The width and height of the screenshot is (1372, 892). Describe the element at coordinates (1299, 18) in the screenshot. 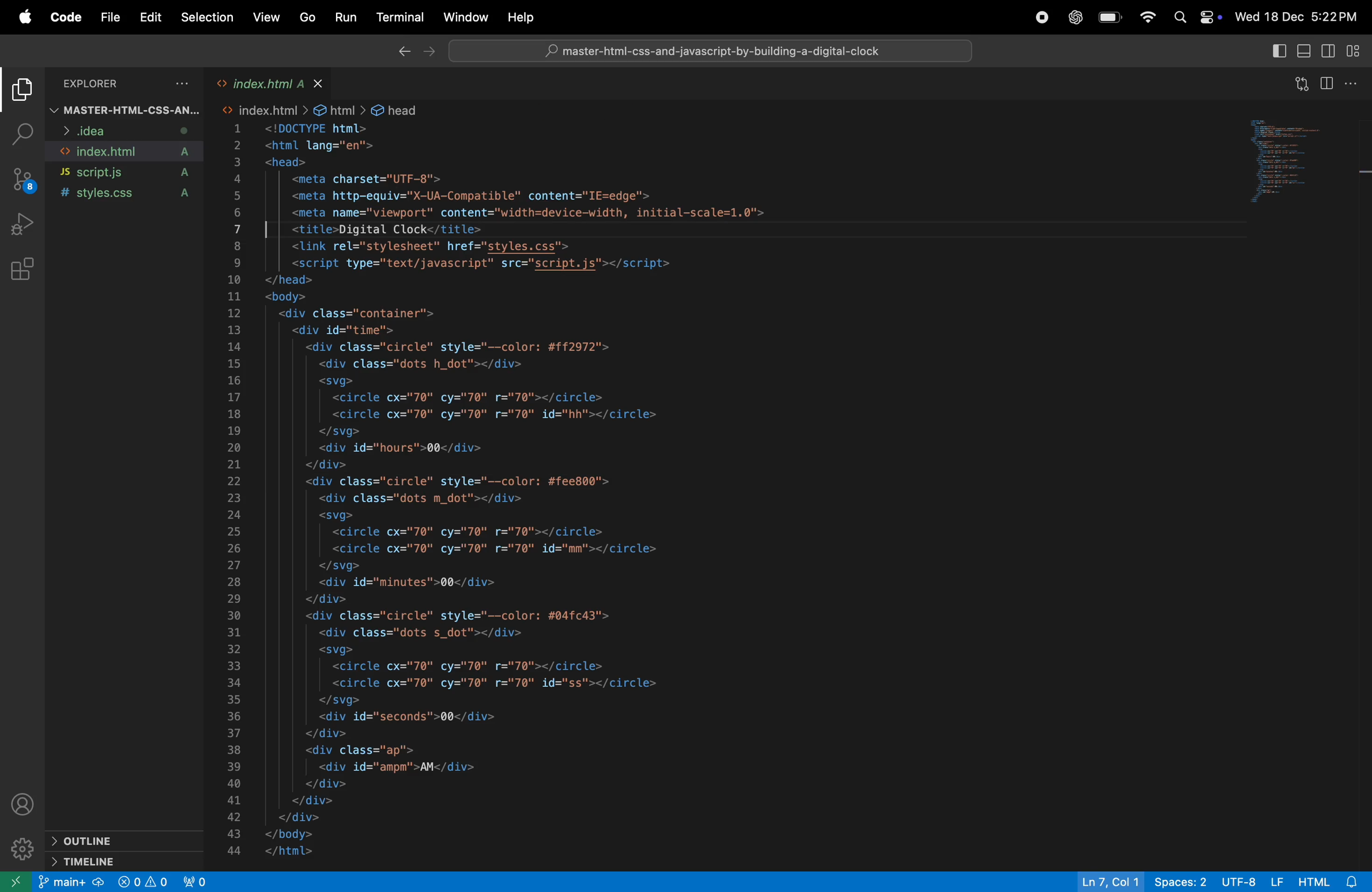

I see `date and time` at that location.